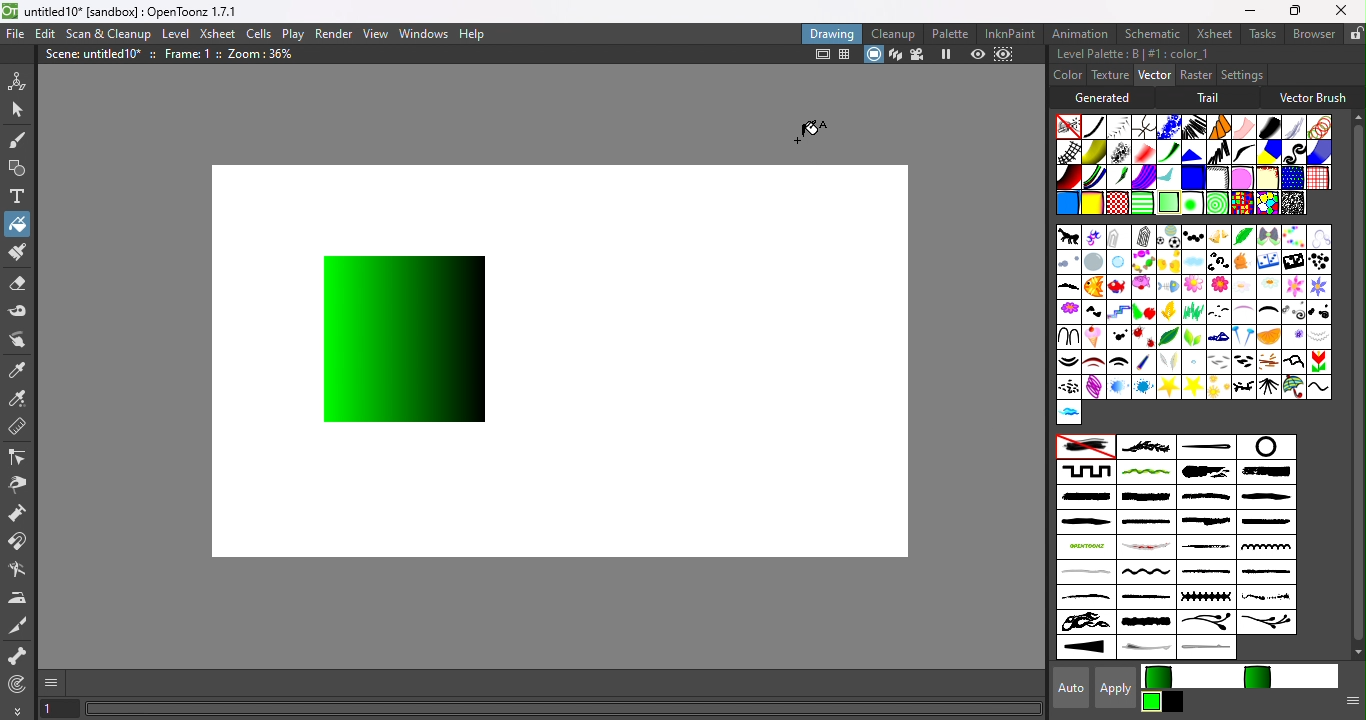  I want to click on Striped, so click(1269, 151).